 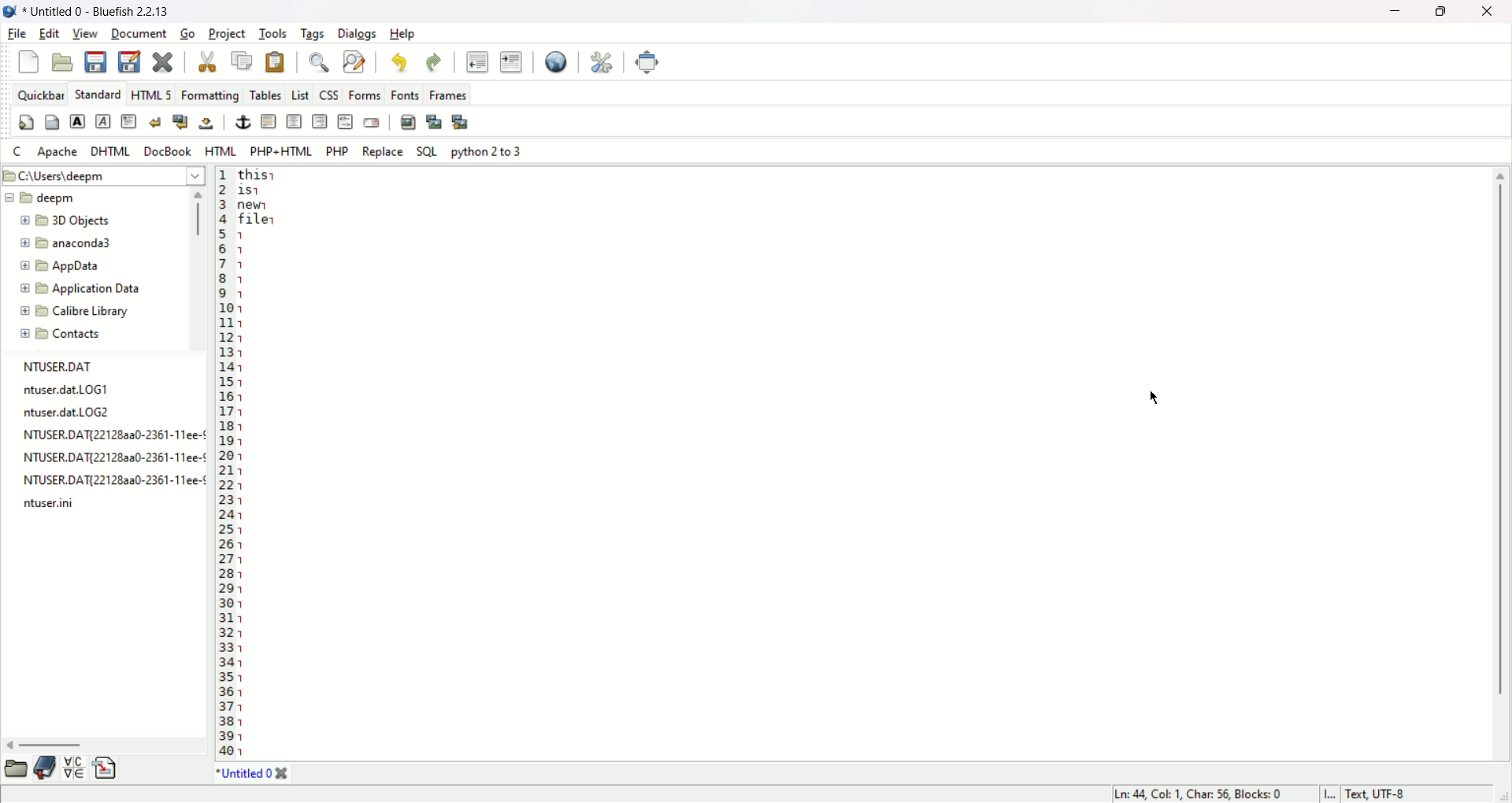 I want to click on frames, so click(x=447, y=94).